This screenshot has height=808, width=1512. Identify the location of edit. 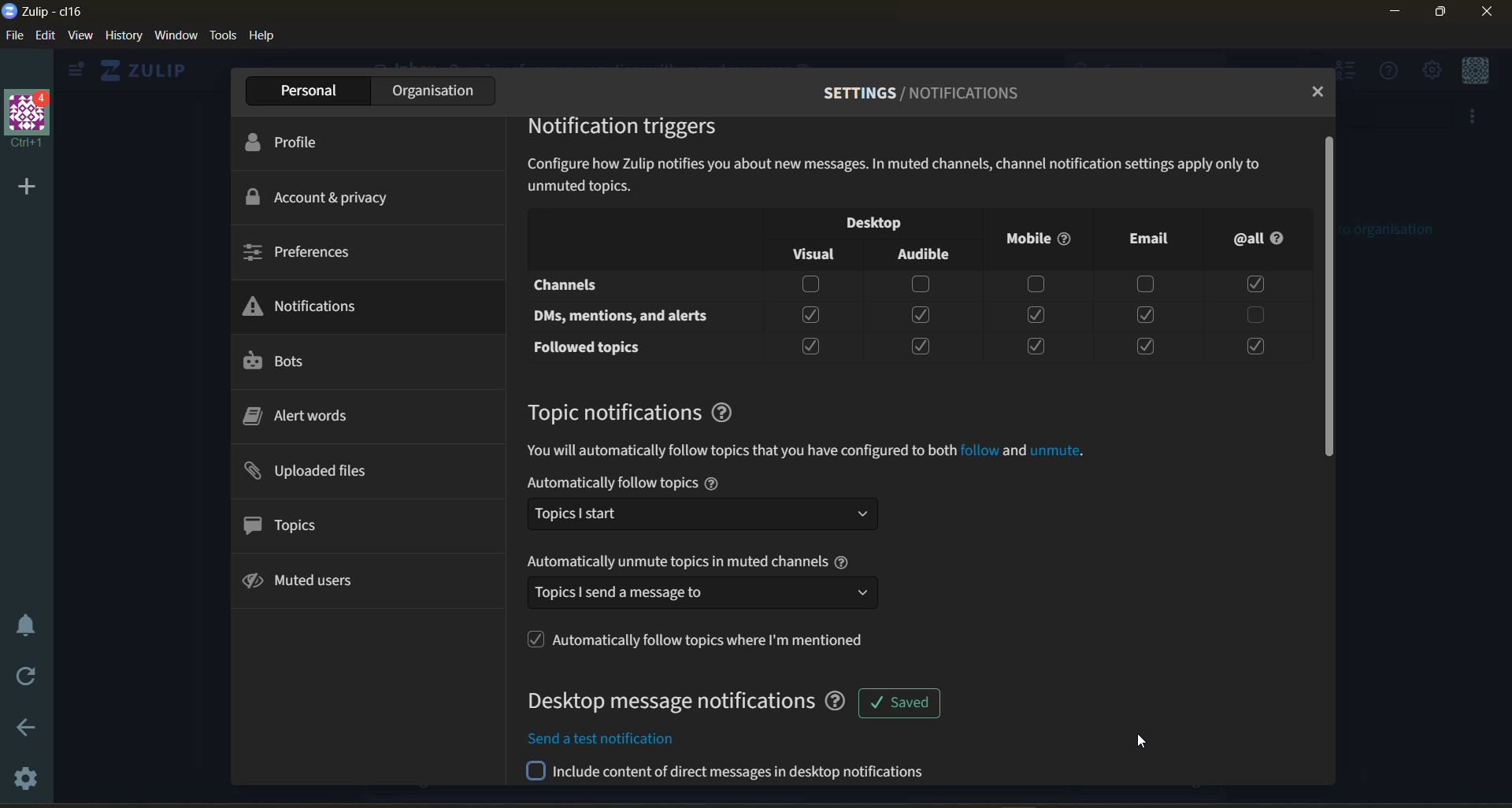
(45, 36).